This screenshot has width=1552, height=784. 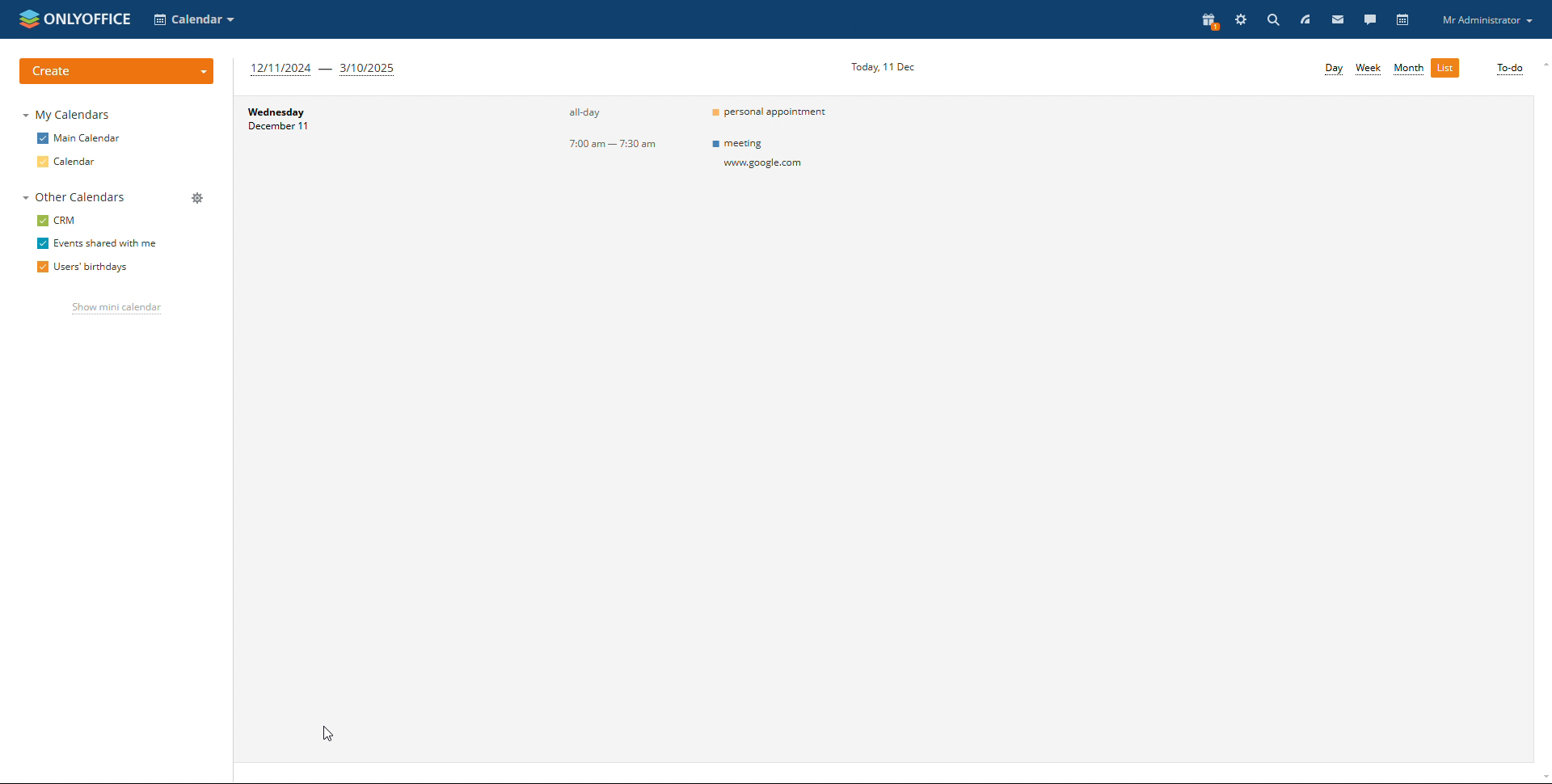 I want to click on meeting, so click(x=773, y=156).